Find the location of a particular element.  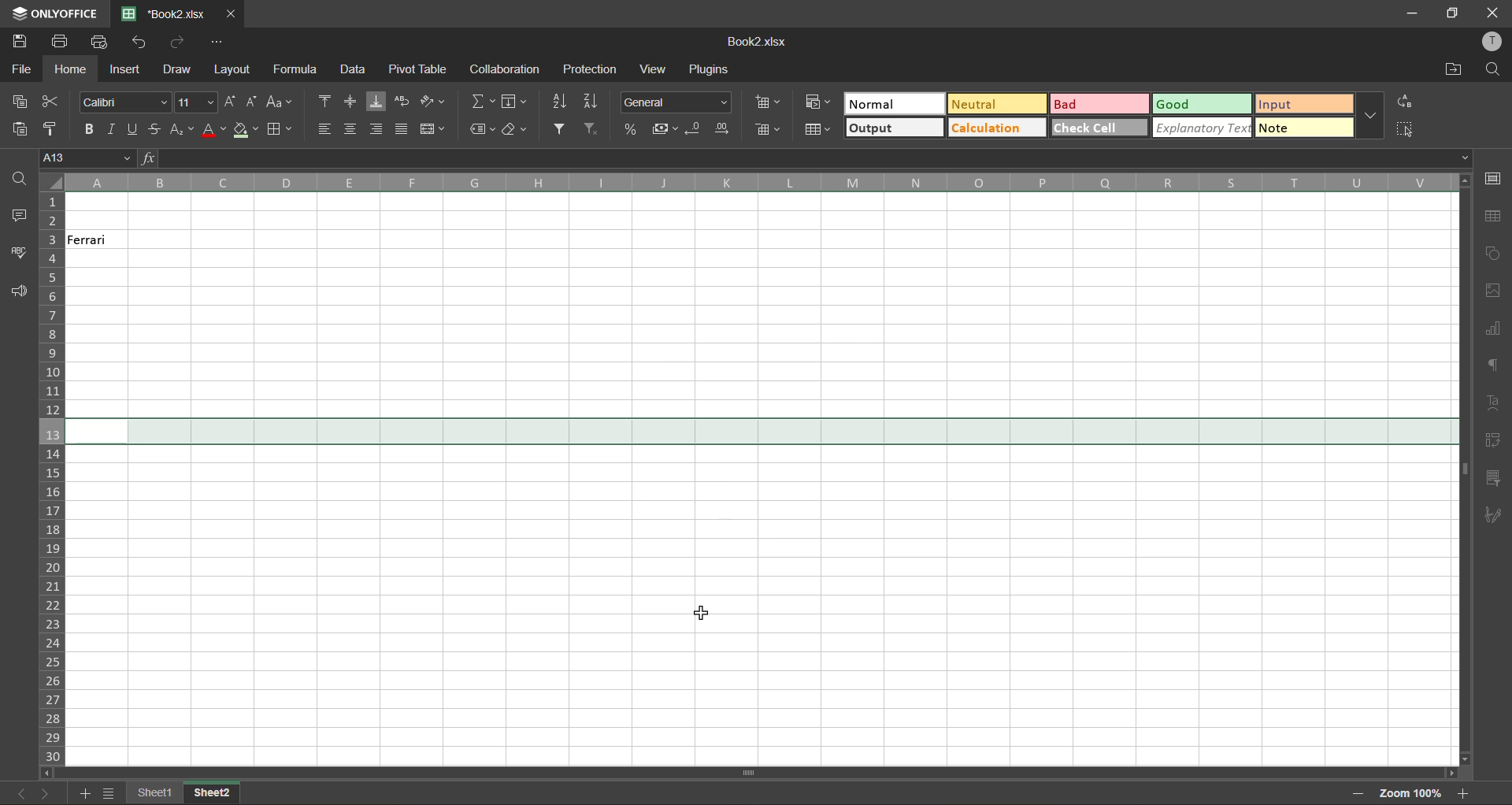

filter is located at coordinates (563, 129).